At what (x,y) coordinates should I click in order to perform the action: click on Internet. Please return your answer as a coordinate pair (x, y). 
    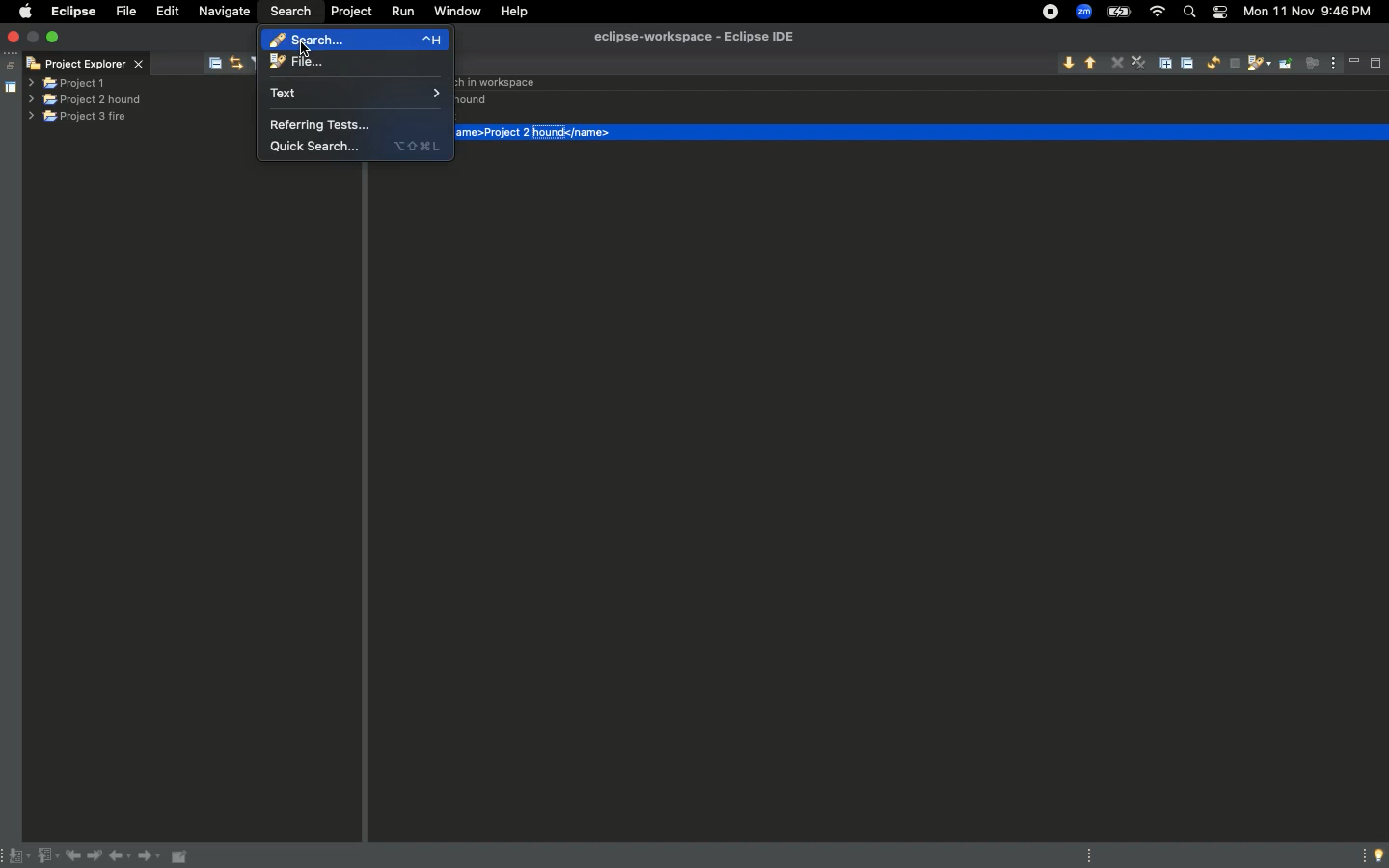
    Looking at the image, I should click on (1158, 13).